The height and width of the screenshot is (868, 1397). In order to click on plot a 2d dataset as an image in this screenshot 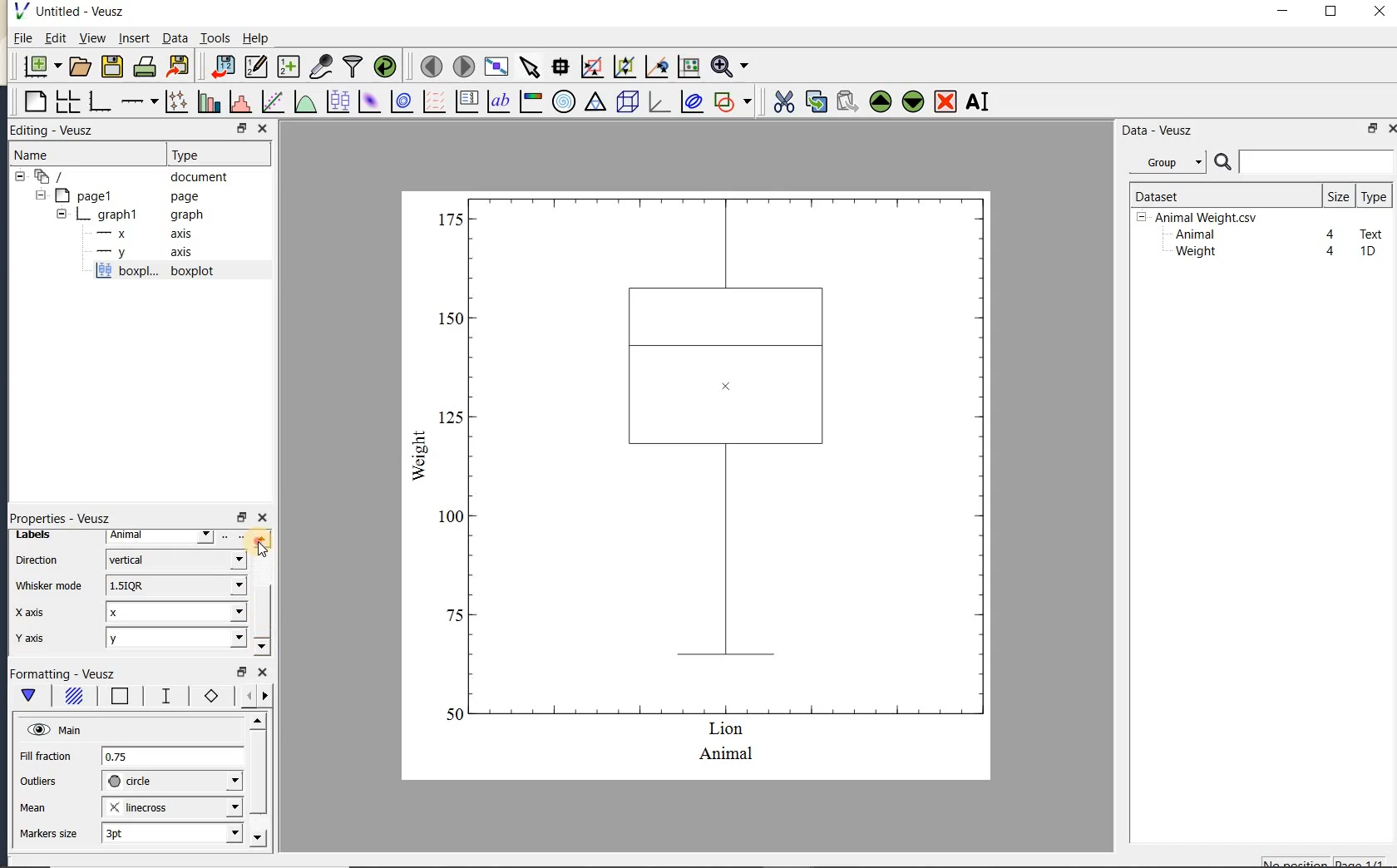, I will do `click(368, 101)`.